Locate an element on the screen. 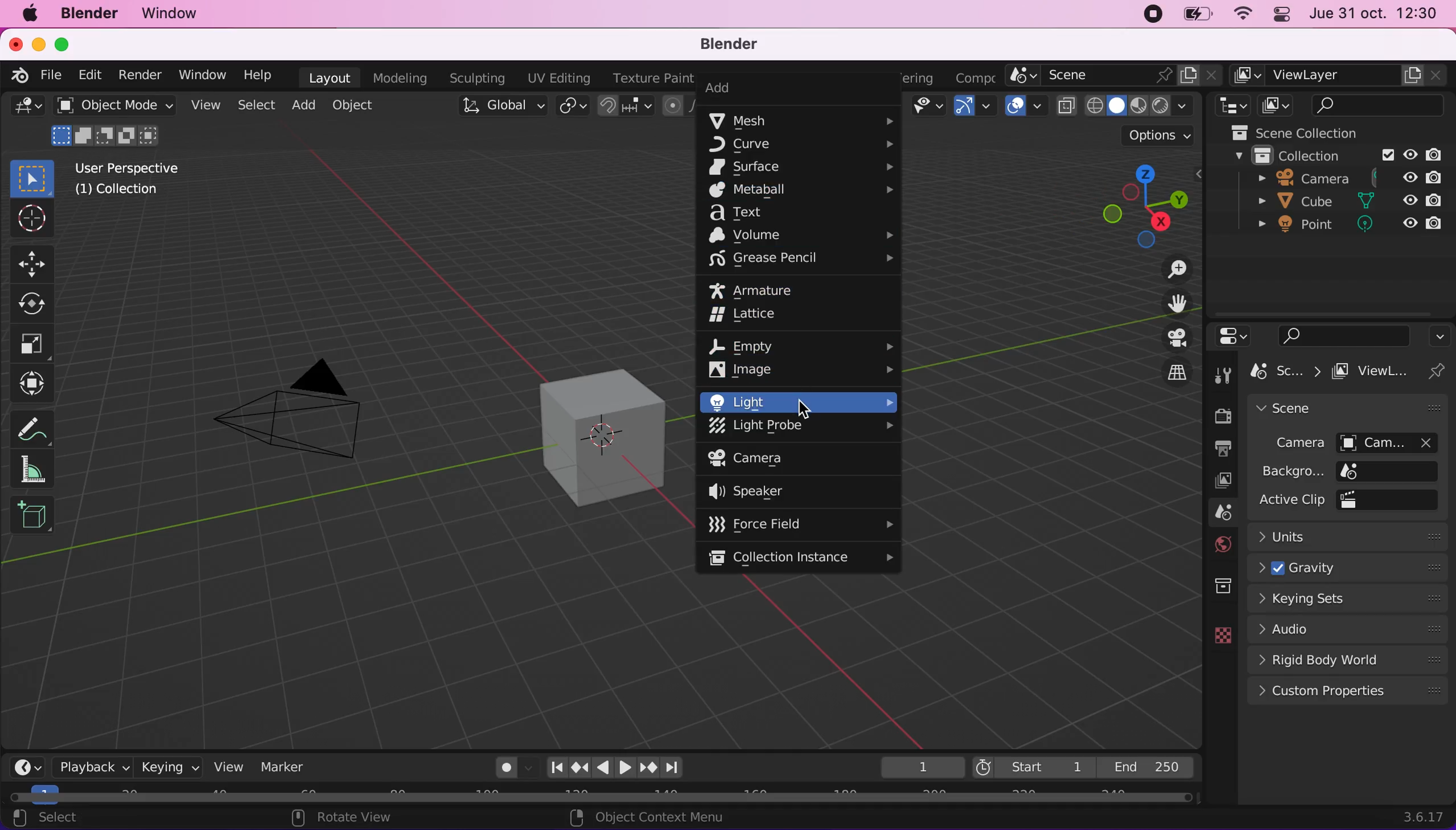 The height and width of the screenshot is (830, 1456). light is located at coordinates (800, 402).